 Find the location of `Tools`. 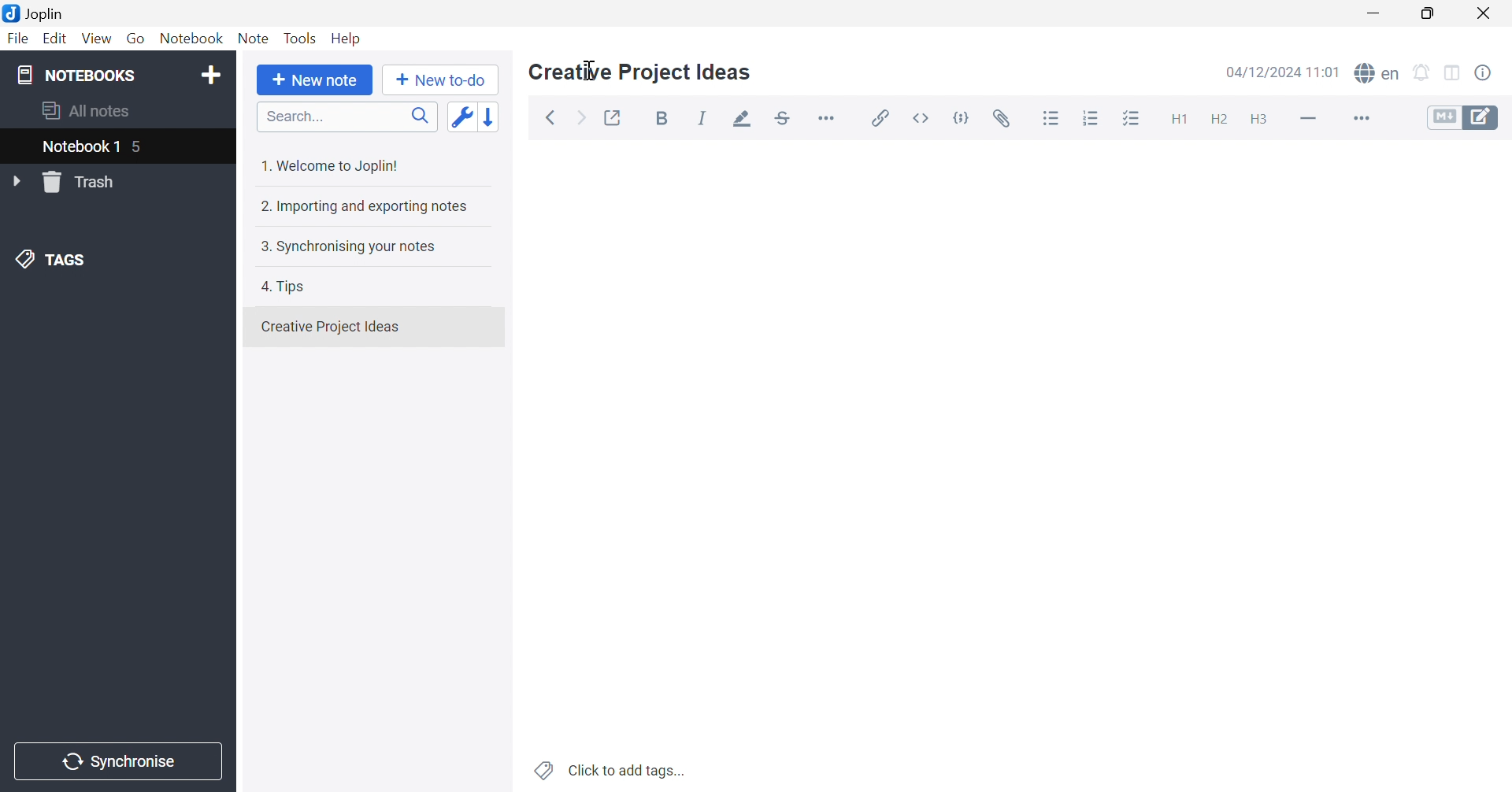

Tools is located at coordinates (302, 37).